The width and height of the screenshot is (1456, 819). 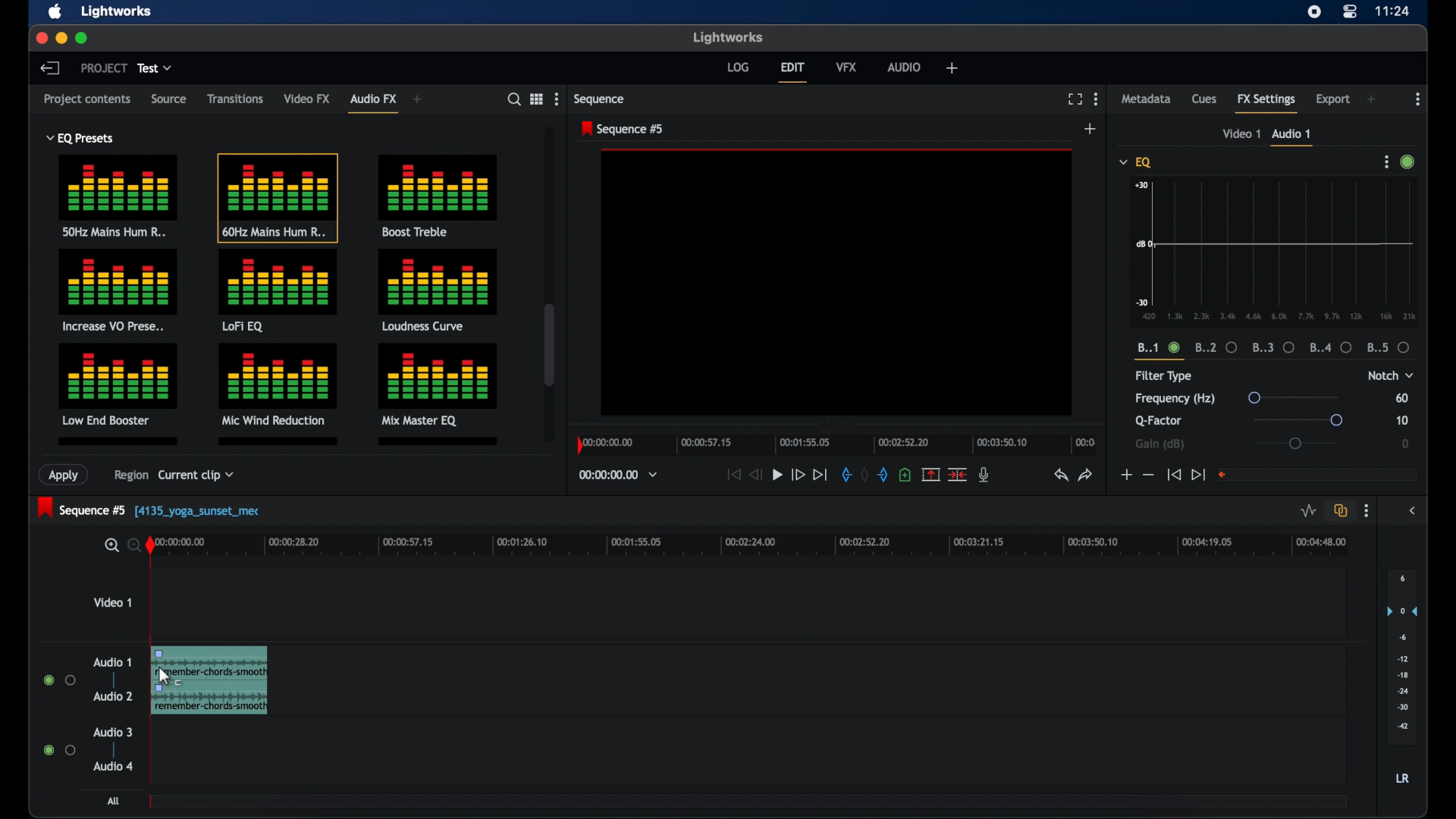 I want to click on lightworks, so click(x=726, y=36).